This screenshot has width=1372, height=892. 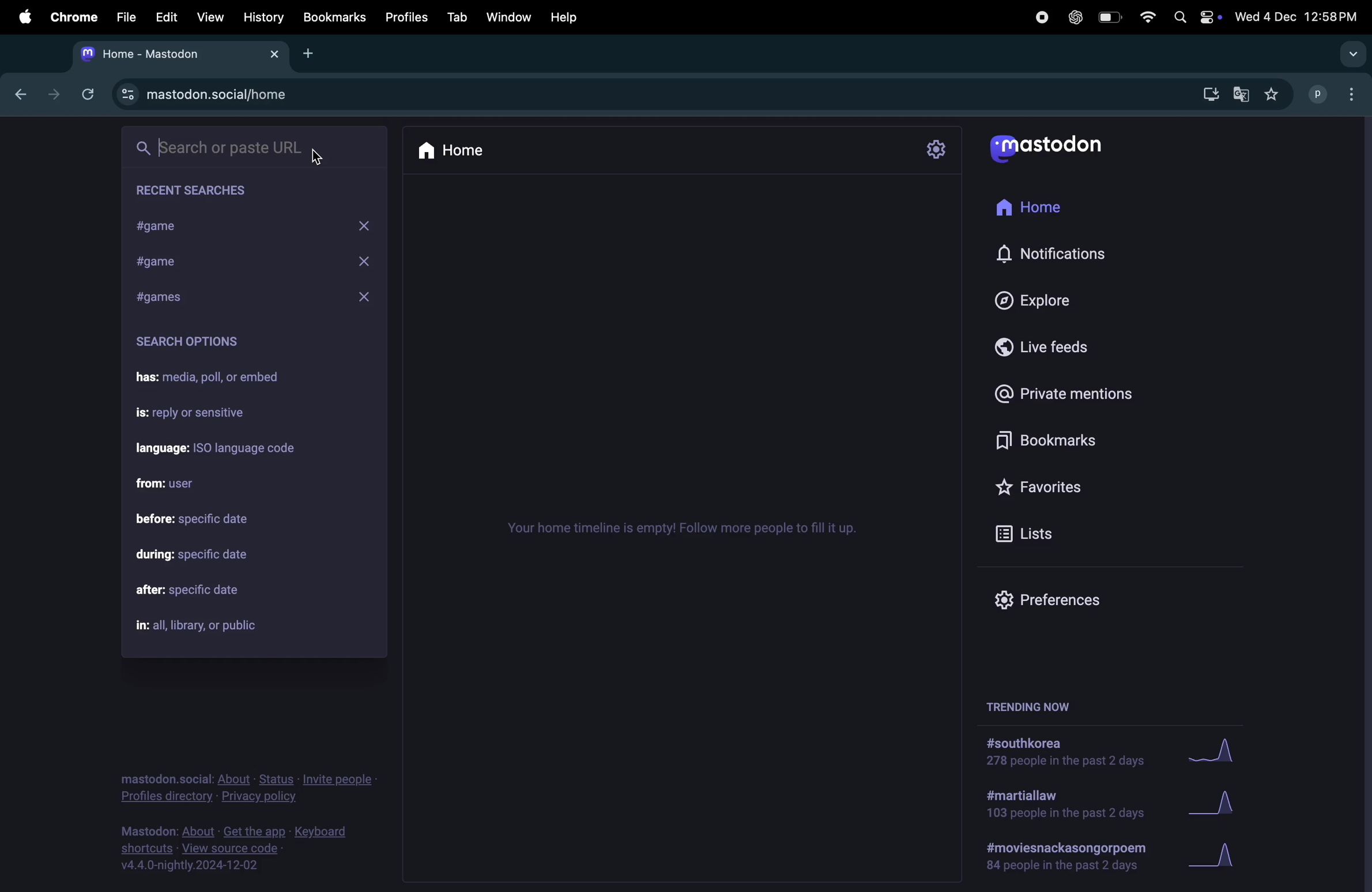 What do you see at coordinates (263, 17) in the screenshot?
I see `History` at bounding box center [263, 17].